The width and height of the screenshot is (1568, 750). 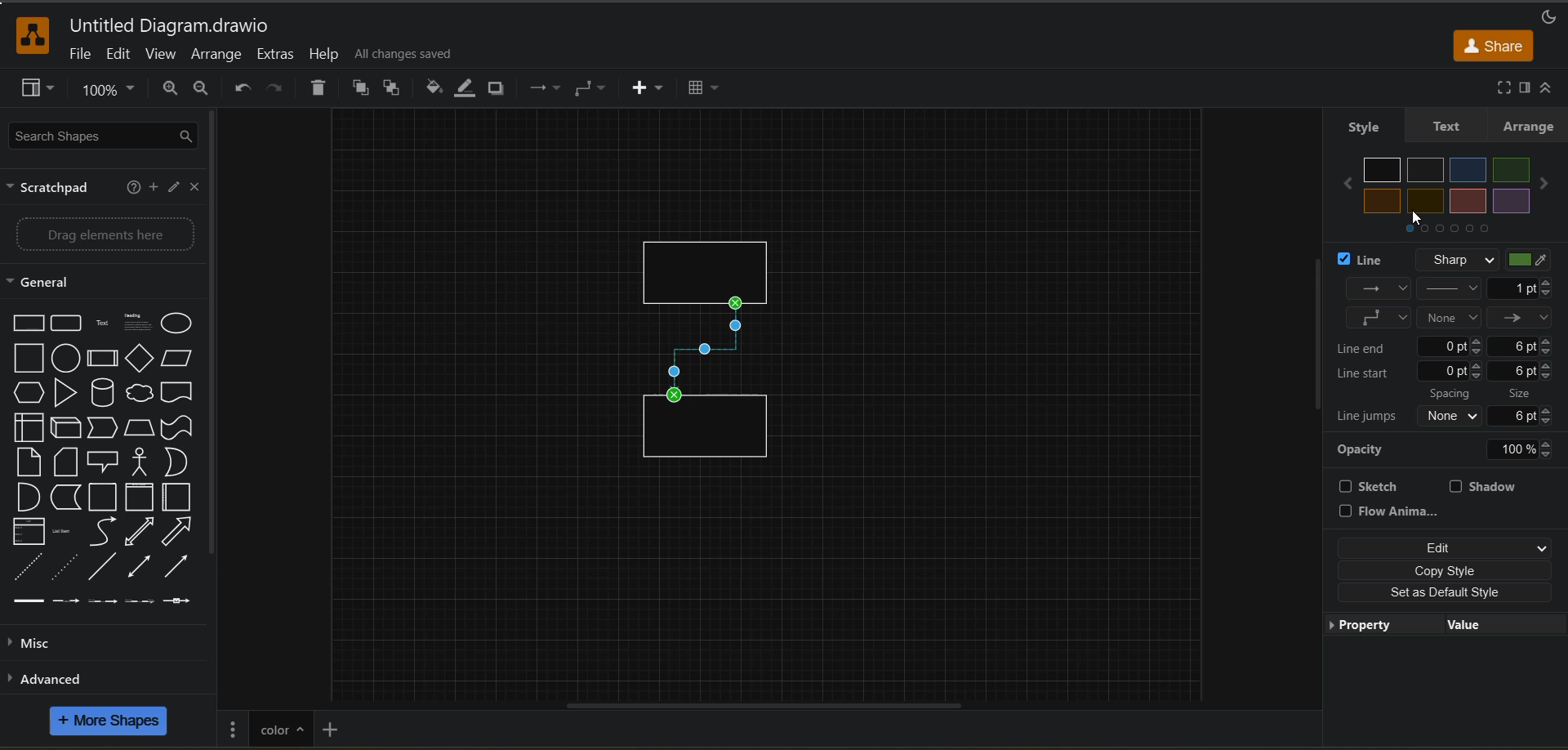 What do you see at coordinates (36, 644) in the screenshot?
I see `misc` at bounding box center [36, 644].